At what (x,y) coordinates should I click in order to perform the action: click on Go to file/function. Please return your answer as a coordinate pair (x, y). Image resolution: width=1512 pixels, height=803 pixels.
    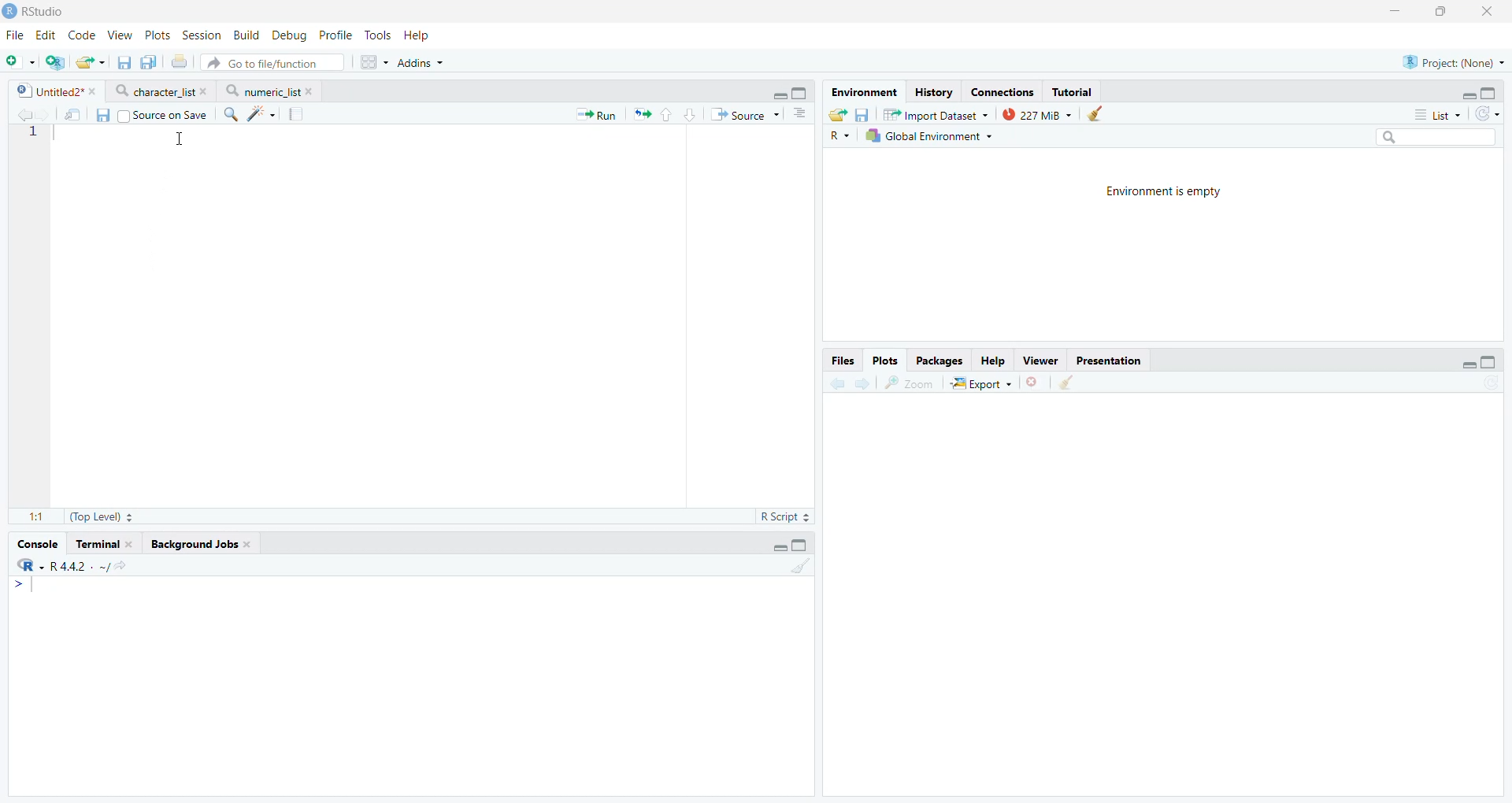
    Looking at the image, I should click on (272, 62).